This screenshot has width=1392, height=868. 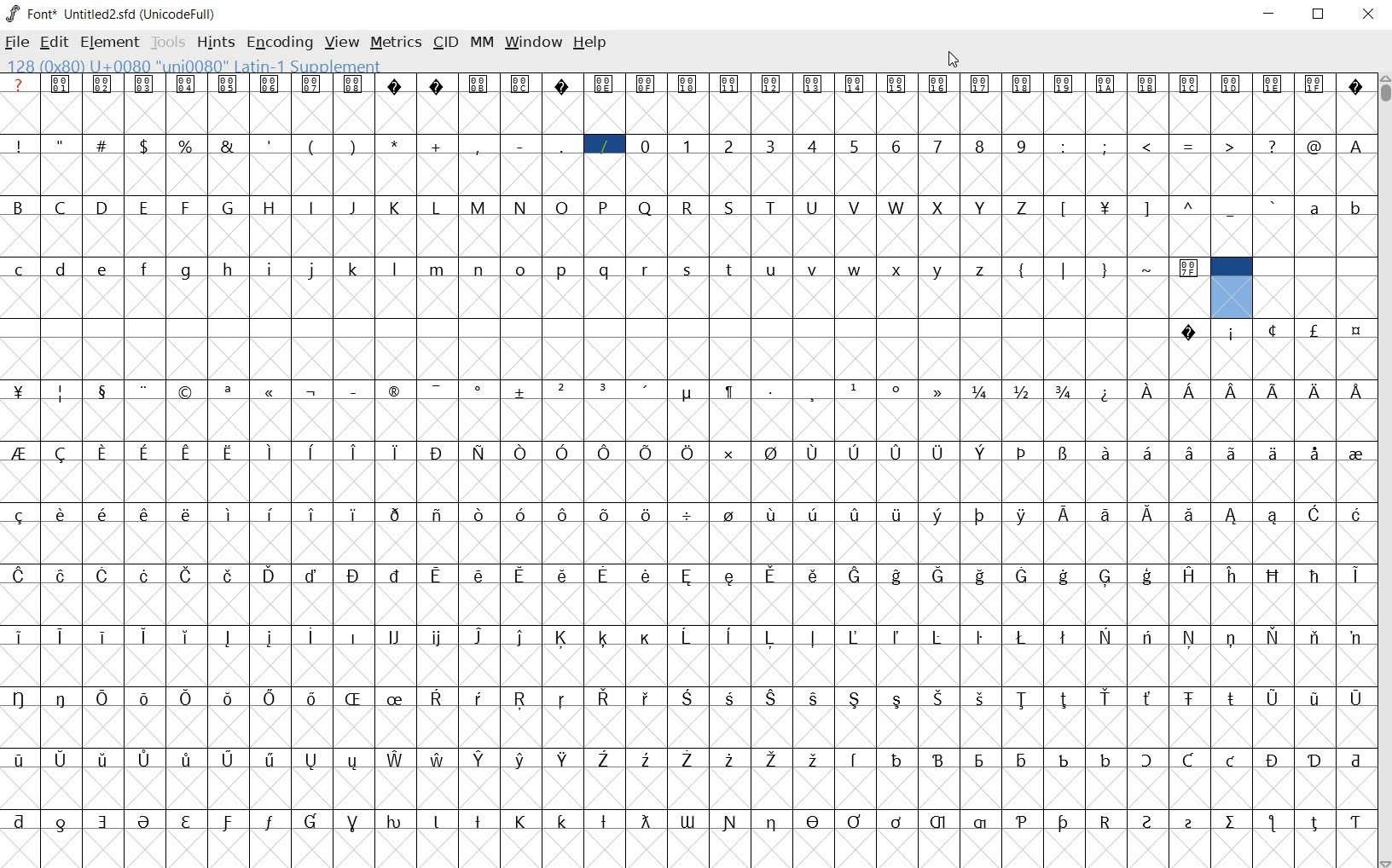 What do you see at coordinates (771, 206) in the screenshot?
I see `T` at bounding box center [771, 206].